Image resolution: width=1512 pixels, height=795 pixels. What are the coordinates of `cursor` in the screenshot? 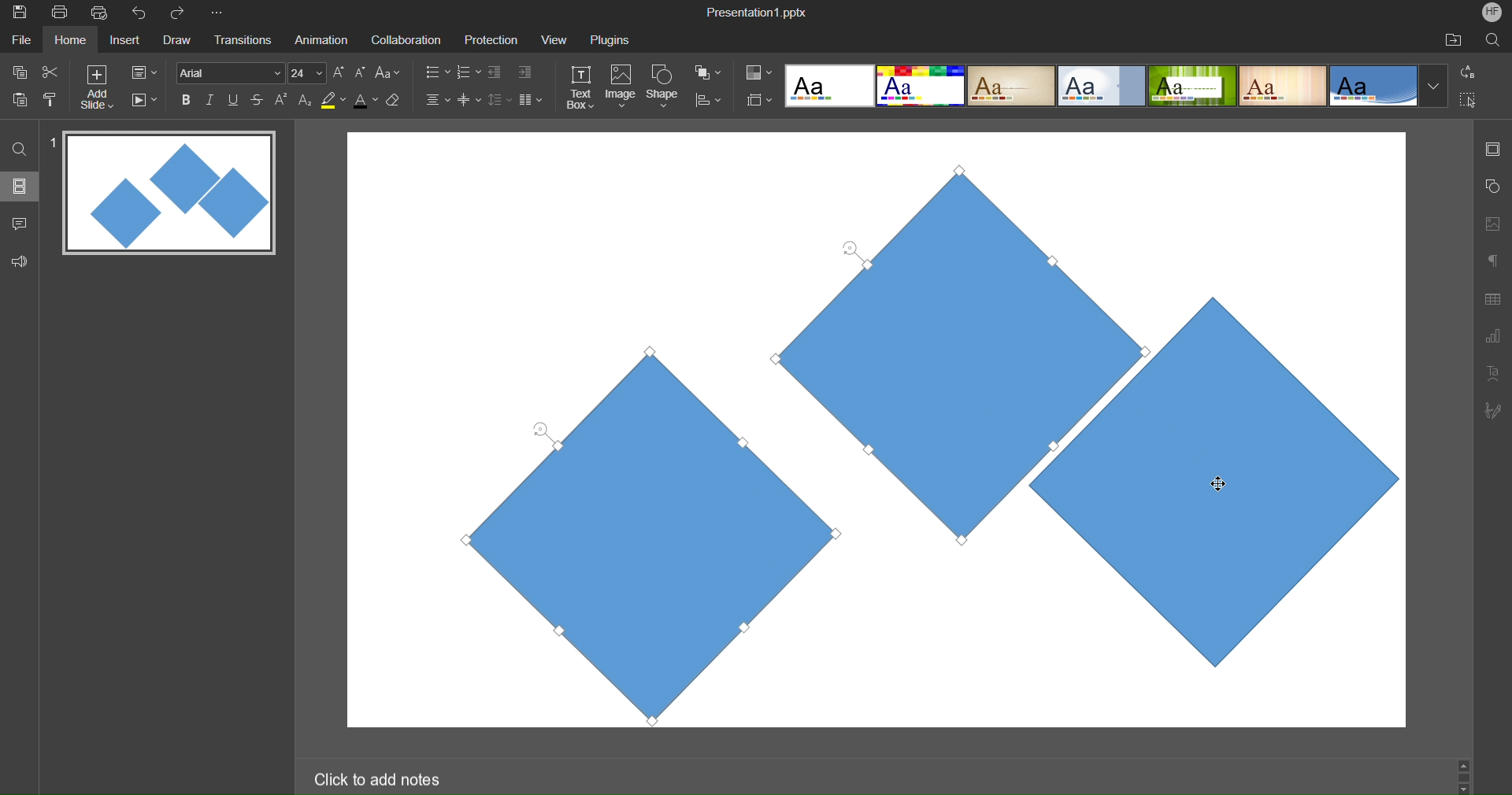 It's located at (1219, 485).